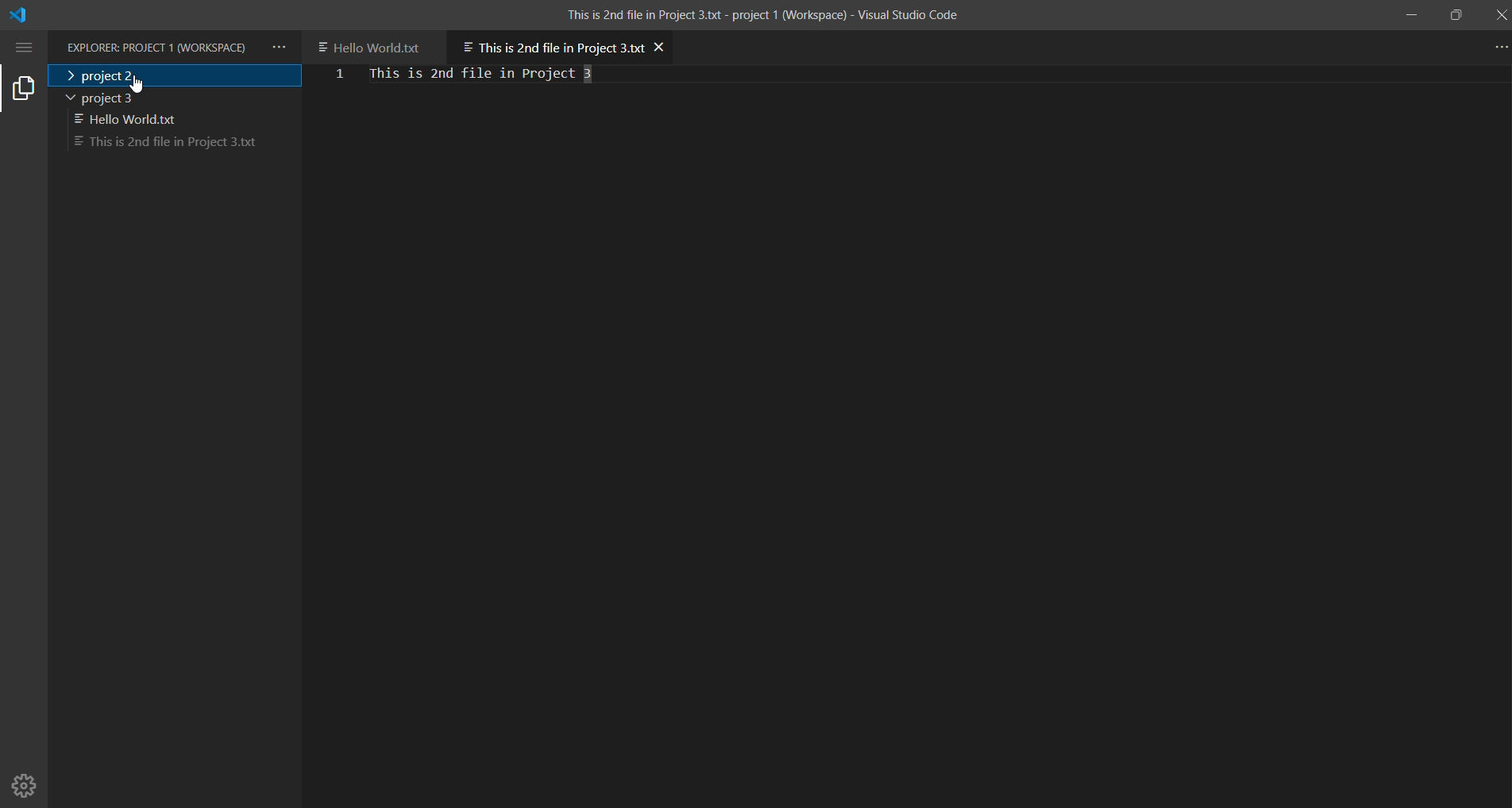 The height and width of the screenshot is (808, 1512). What do you see at coordinates (1412, 14) in the screenshot?
I see `minimize` at bounding box center [1412, 14].